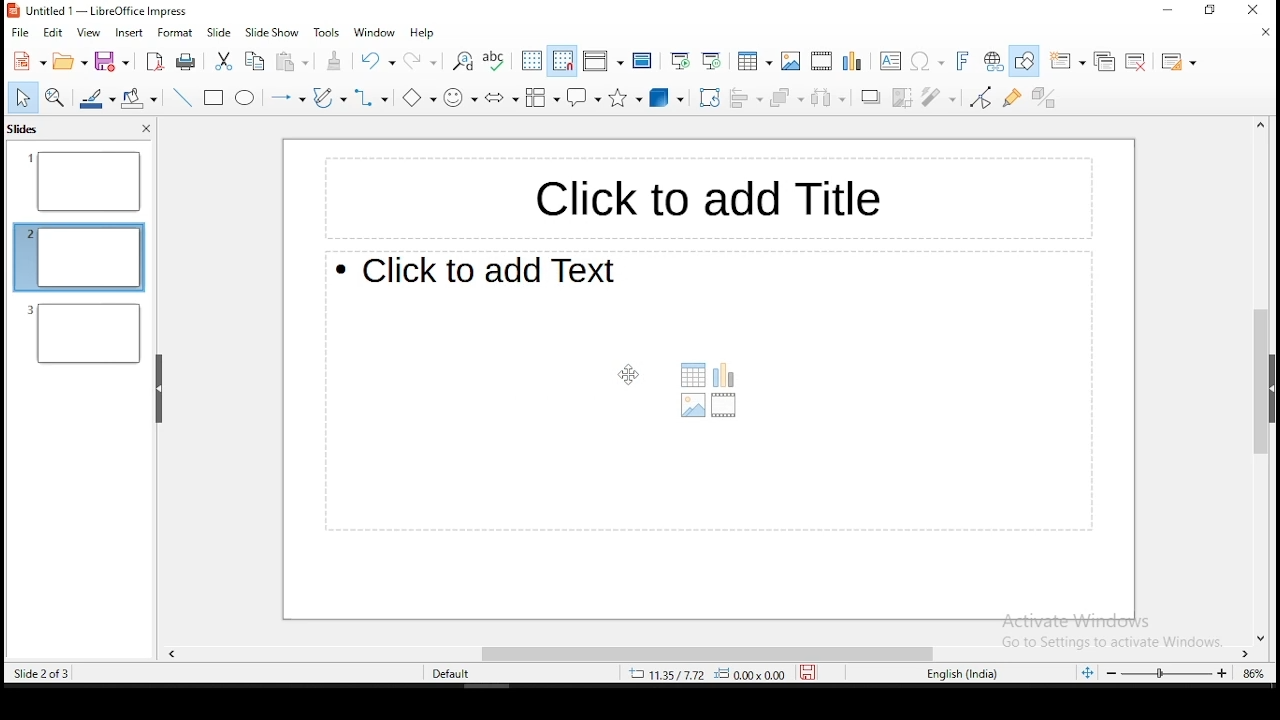 This screenshot has width=1280, height=720. I want to click on lines and arrows, so click(286, 96).